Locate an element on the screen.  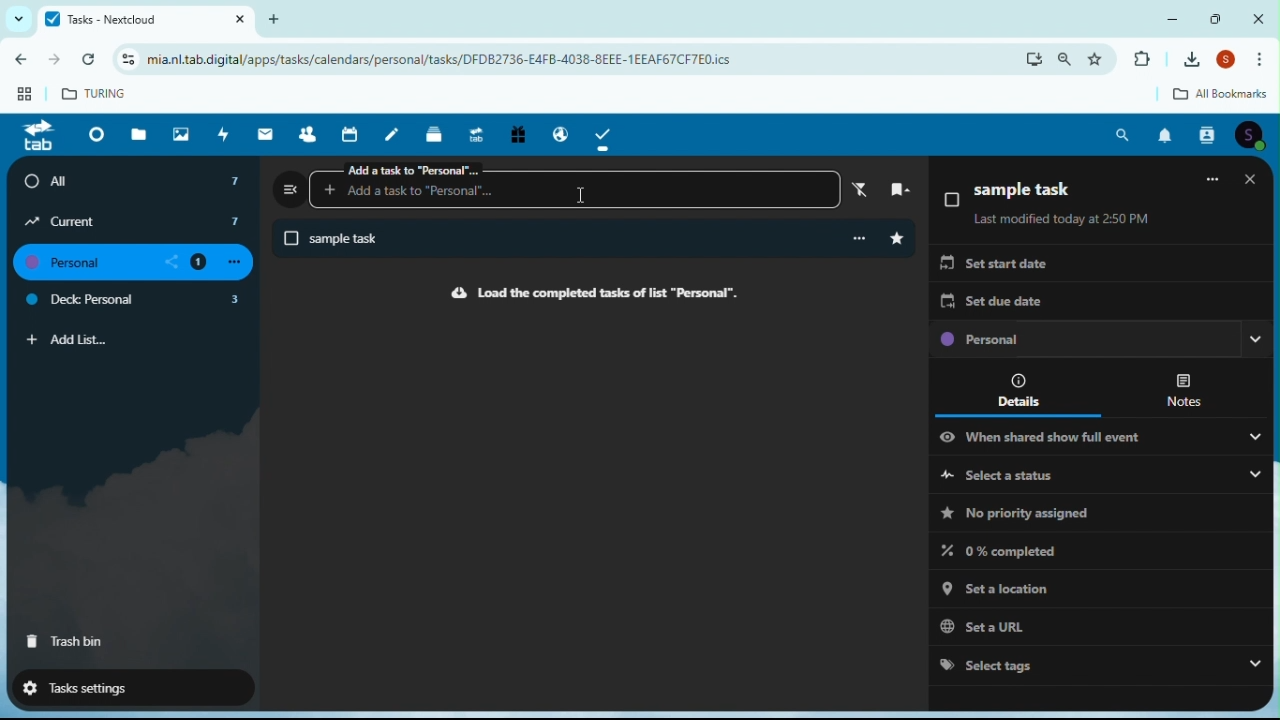
turing is located at coordinates (96, 92).